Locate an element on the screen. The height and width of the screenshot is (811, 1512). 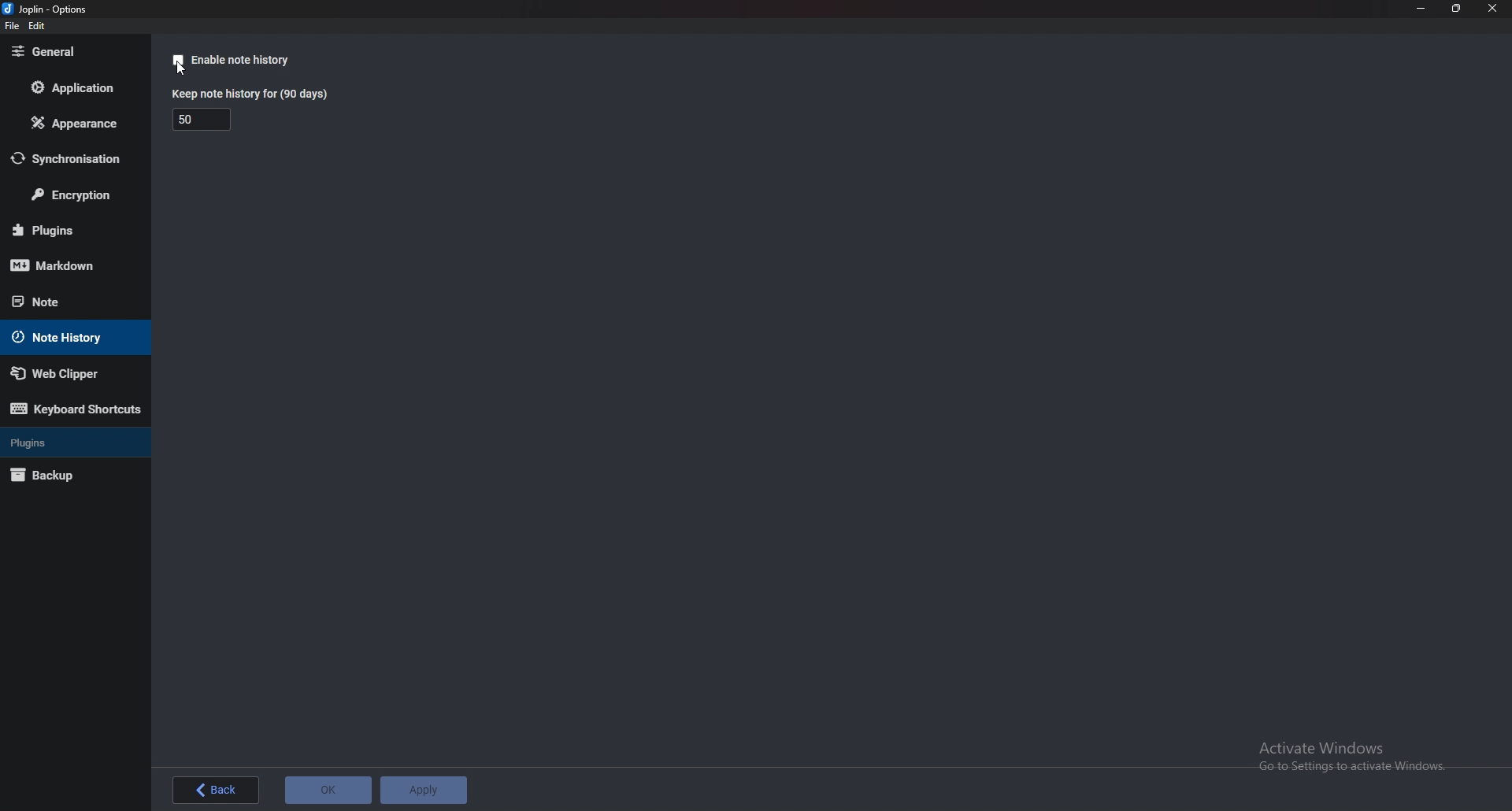
apply is located at coordinates (424, 790).